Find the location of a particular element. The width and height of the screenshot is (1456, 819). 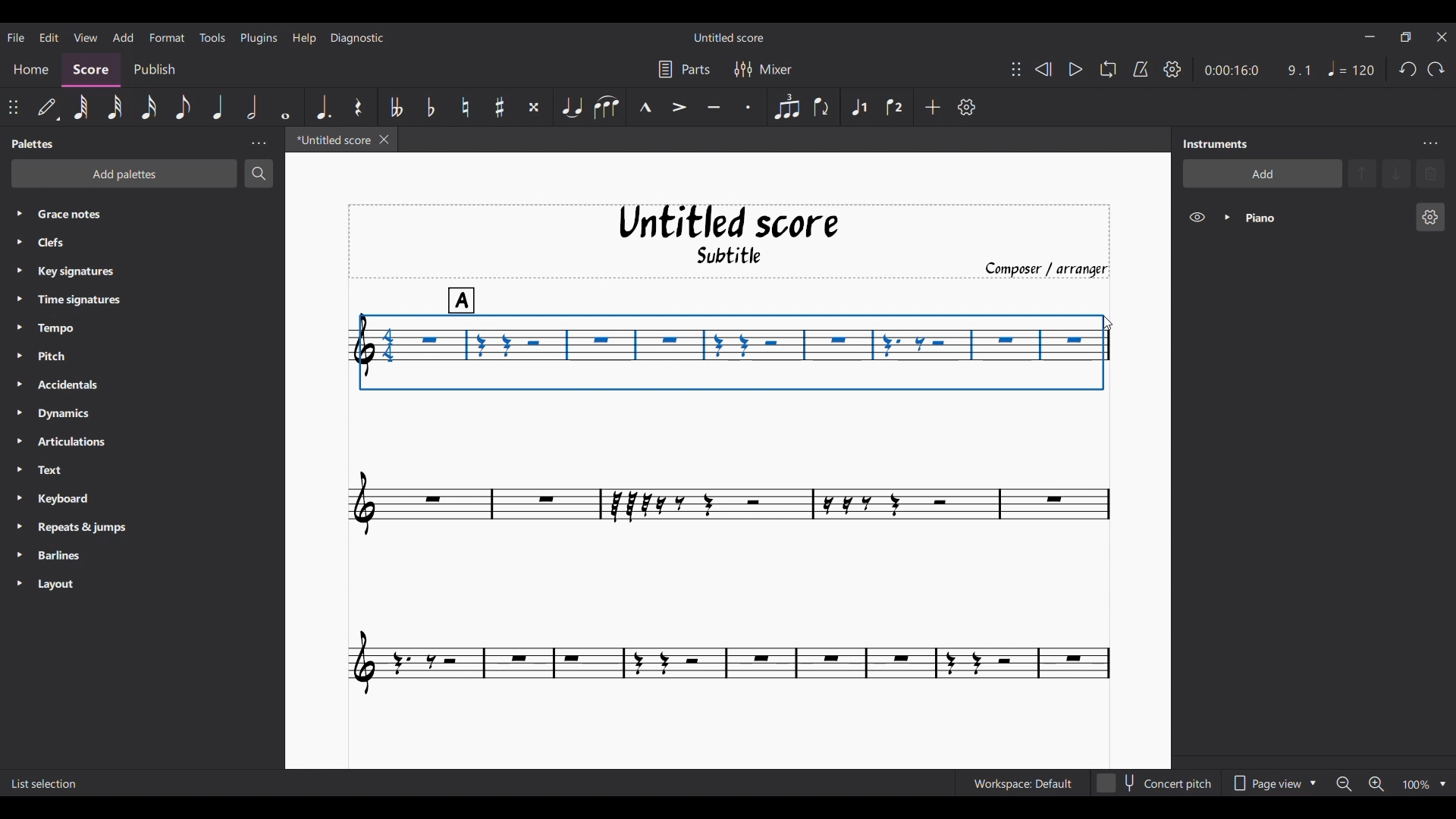

Accidentals is located at coordinates (90, 386).